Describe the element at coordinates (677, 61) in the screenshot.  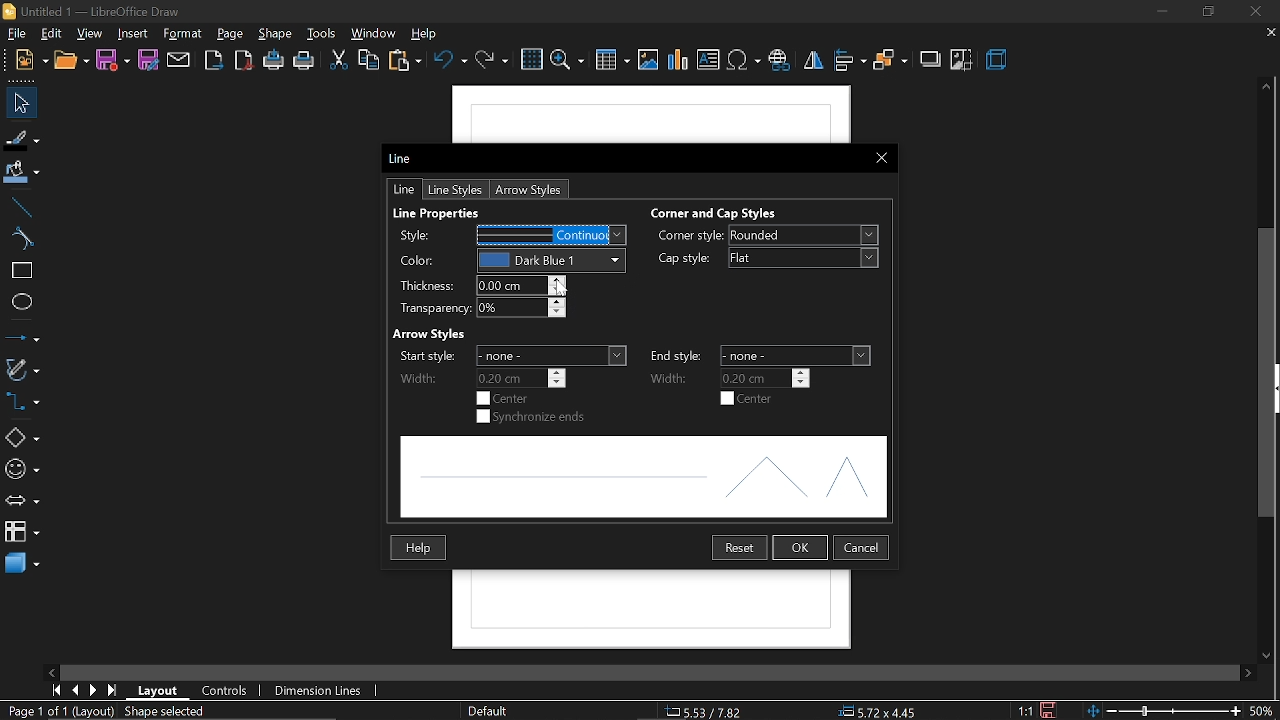
I see `insert chart` at that location.